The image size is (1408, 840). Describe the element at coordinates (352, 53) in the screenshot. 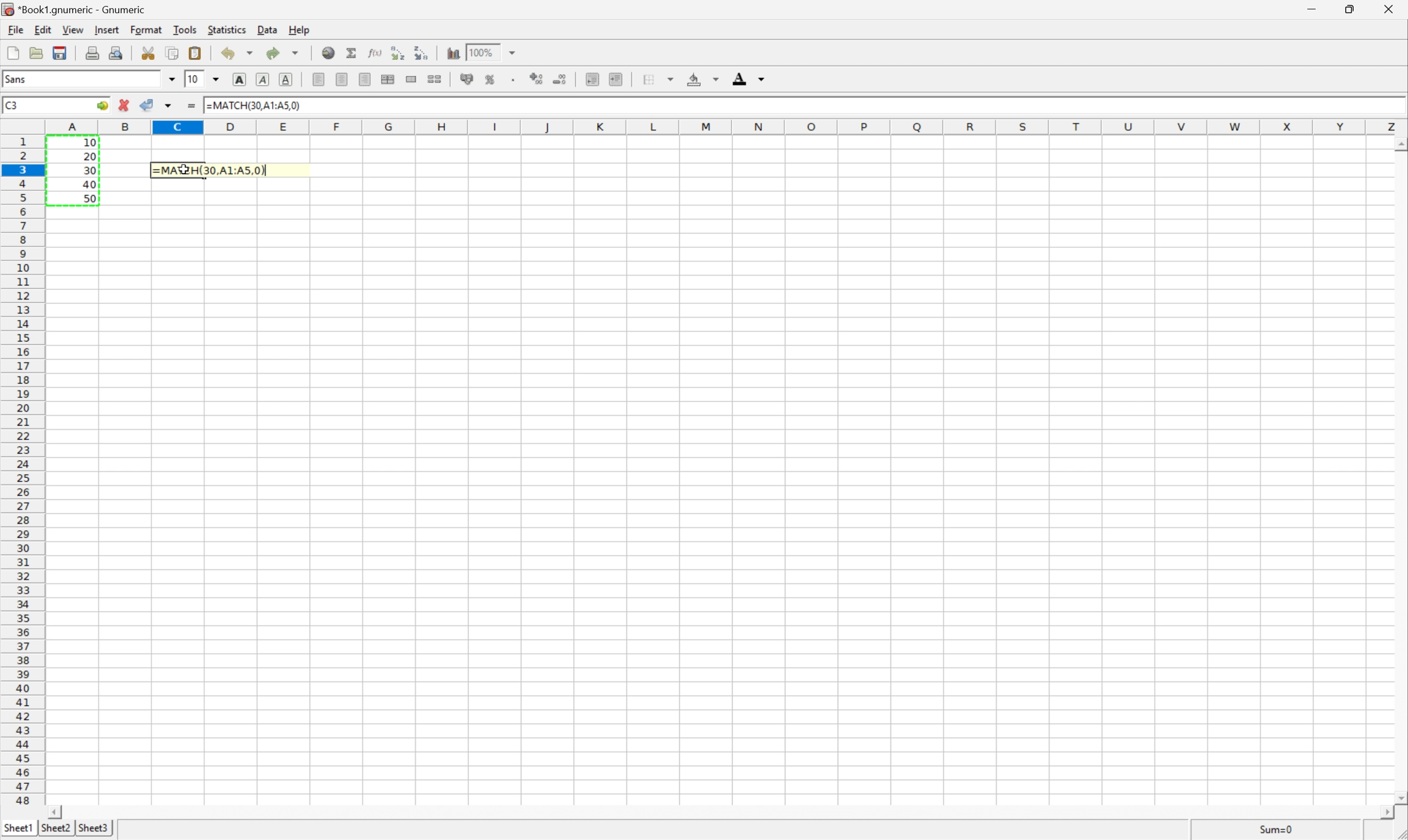

I see `Sum into the current cell` at that location.